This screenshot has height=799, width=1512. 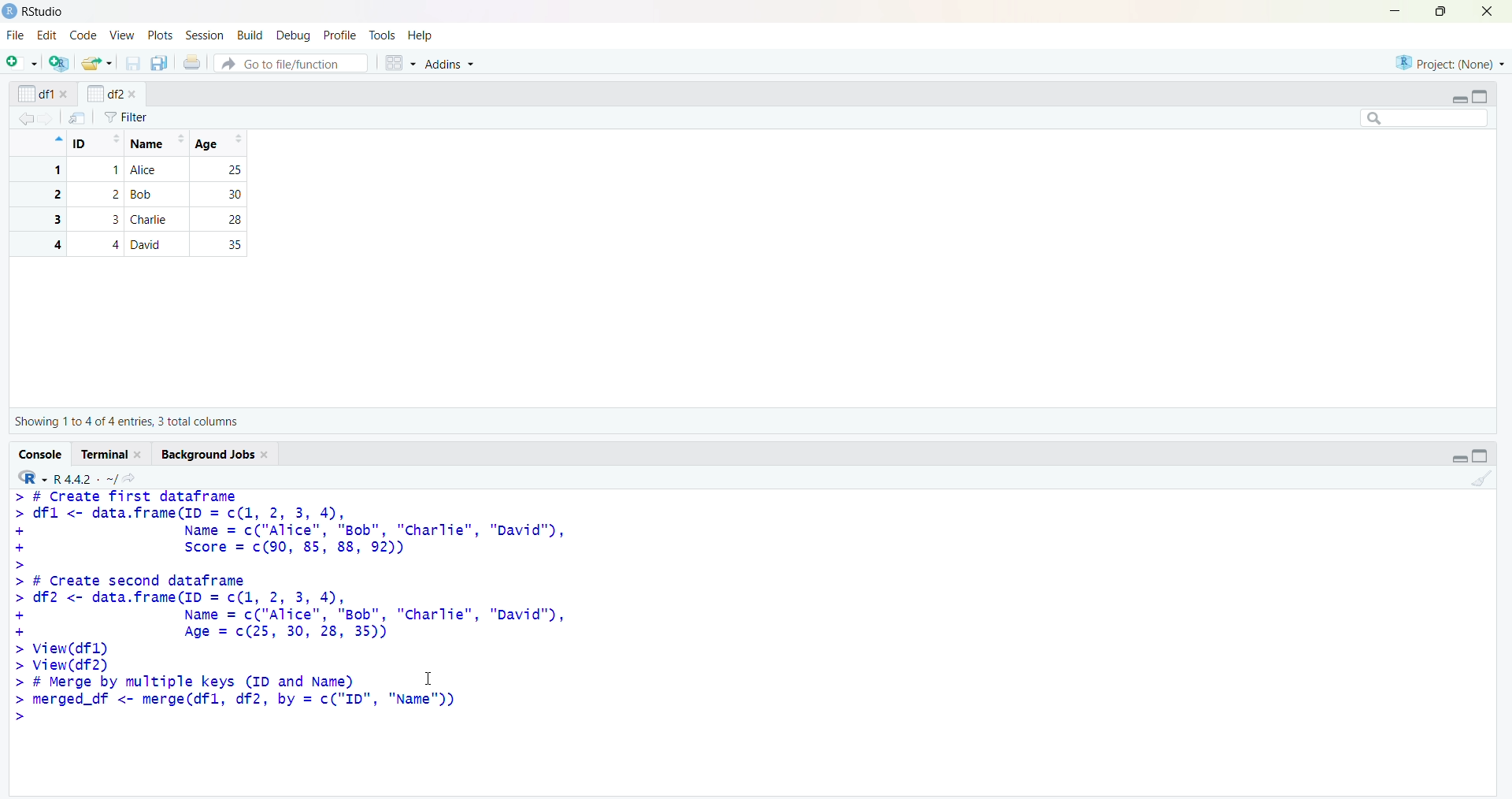 I want to click on Name, so click(x=156, y=143).